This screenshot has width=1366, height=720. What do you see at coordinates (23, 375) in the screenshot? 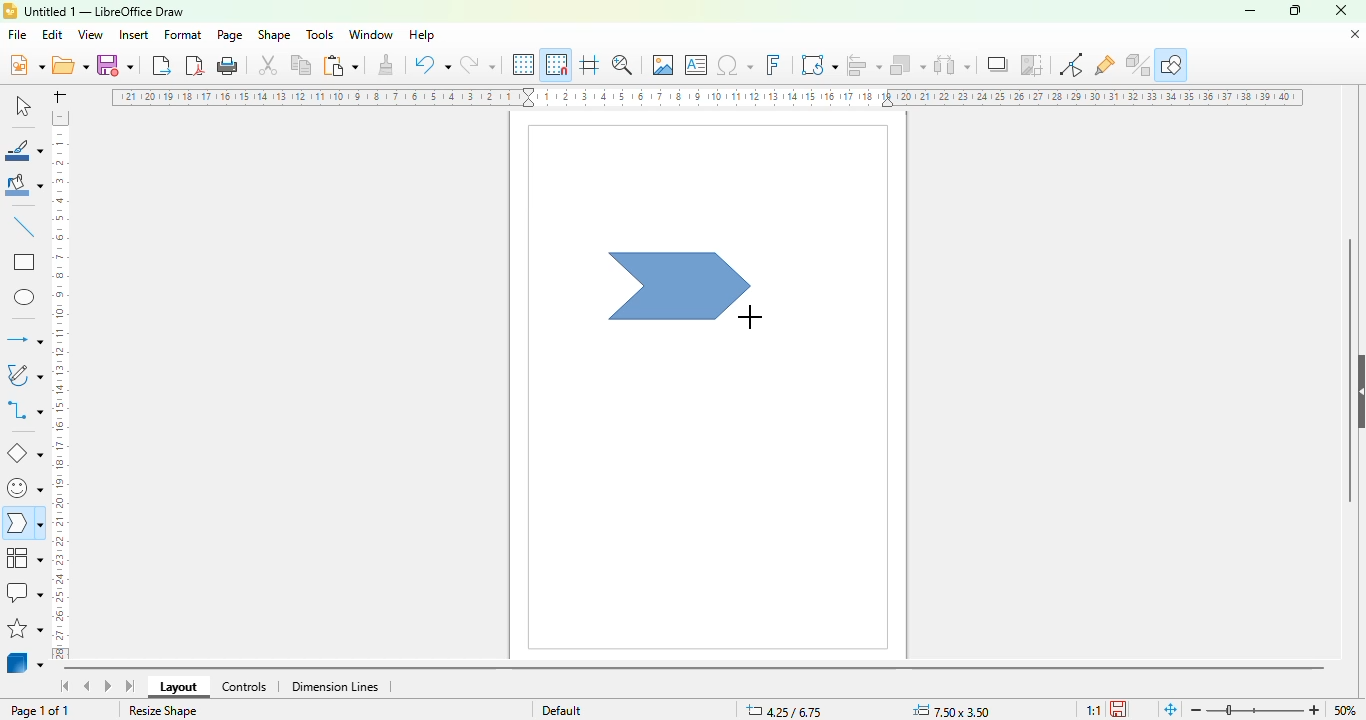
I see `curves and polygons` at bounding box center [23, 375].